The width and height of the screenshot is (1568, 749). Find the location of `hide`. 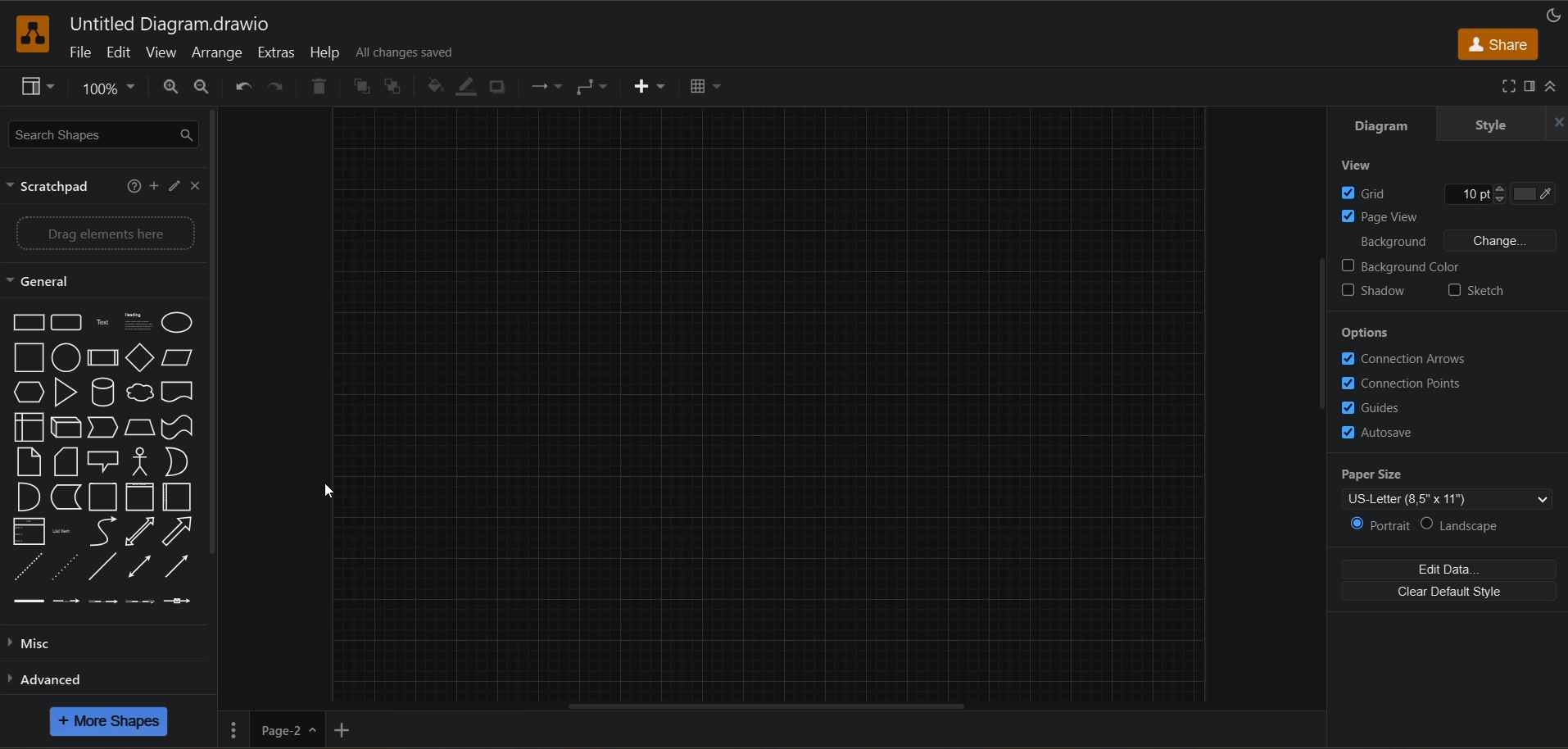

hide is located at coordinates (1558, 121).